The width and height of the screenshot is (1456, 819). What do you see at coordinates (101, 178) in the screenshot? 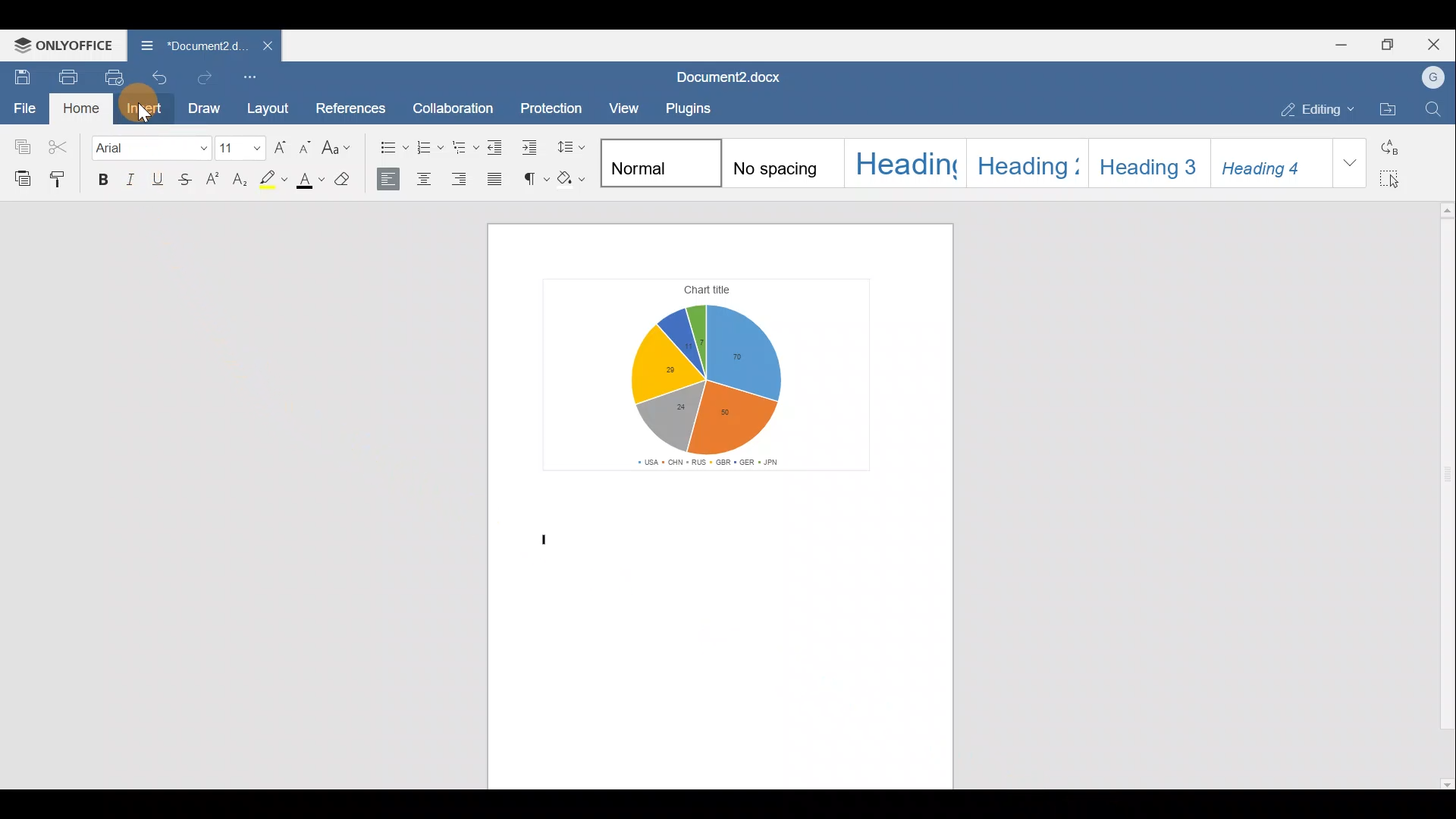
I see `Bold` at bounding box center [101, 178].